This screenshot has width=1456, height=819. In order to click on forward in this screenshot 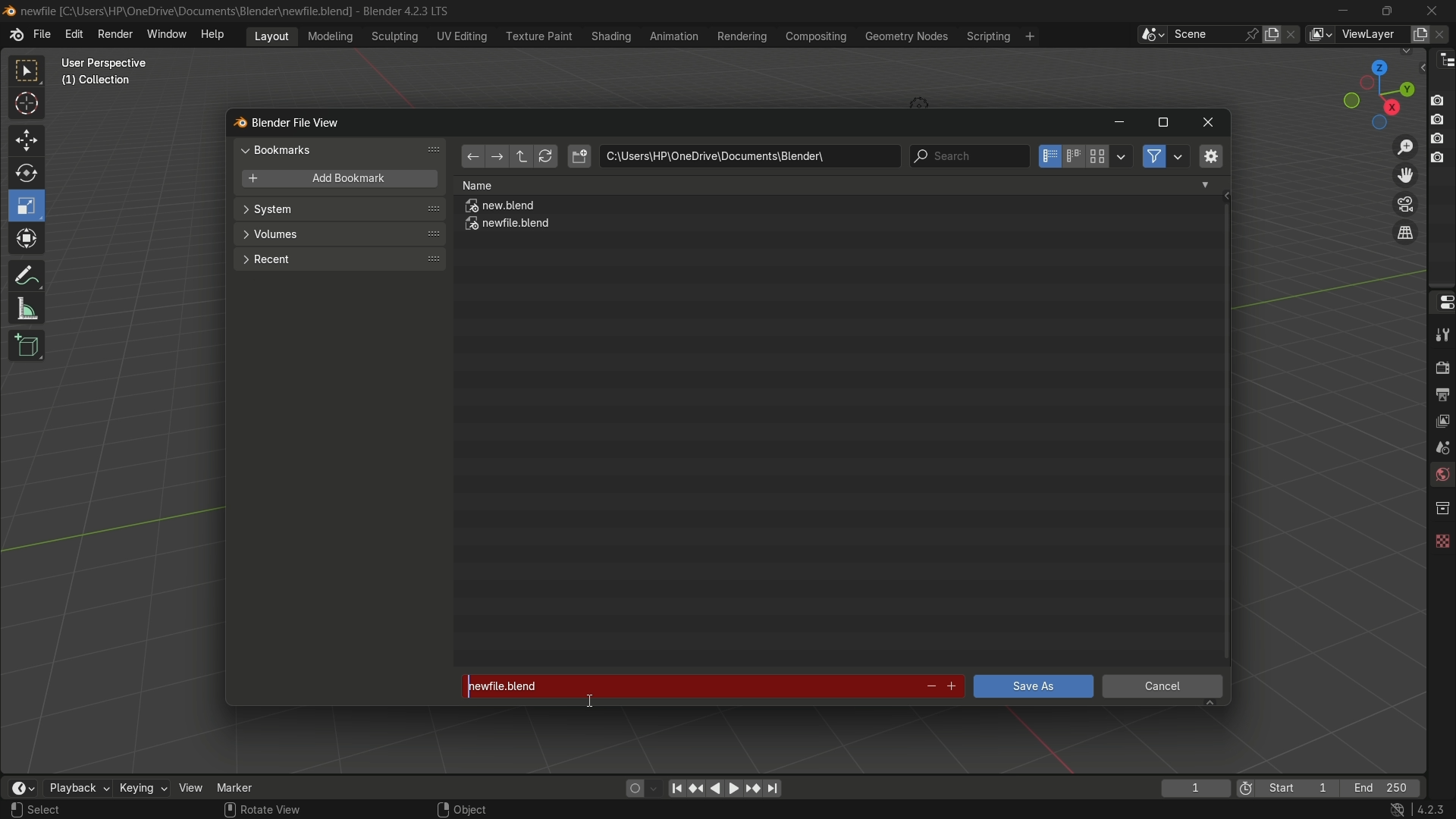, I will do `click(495, 158)`.